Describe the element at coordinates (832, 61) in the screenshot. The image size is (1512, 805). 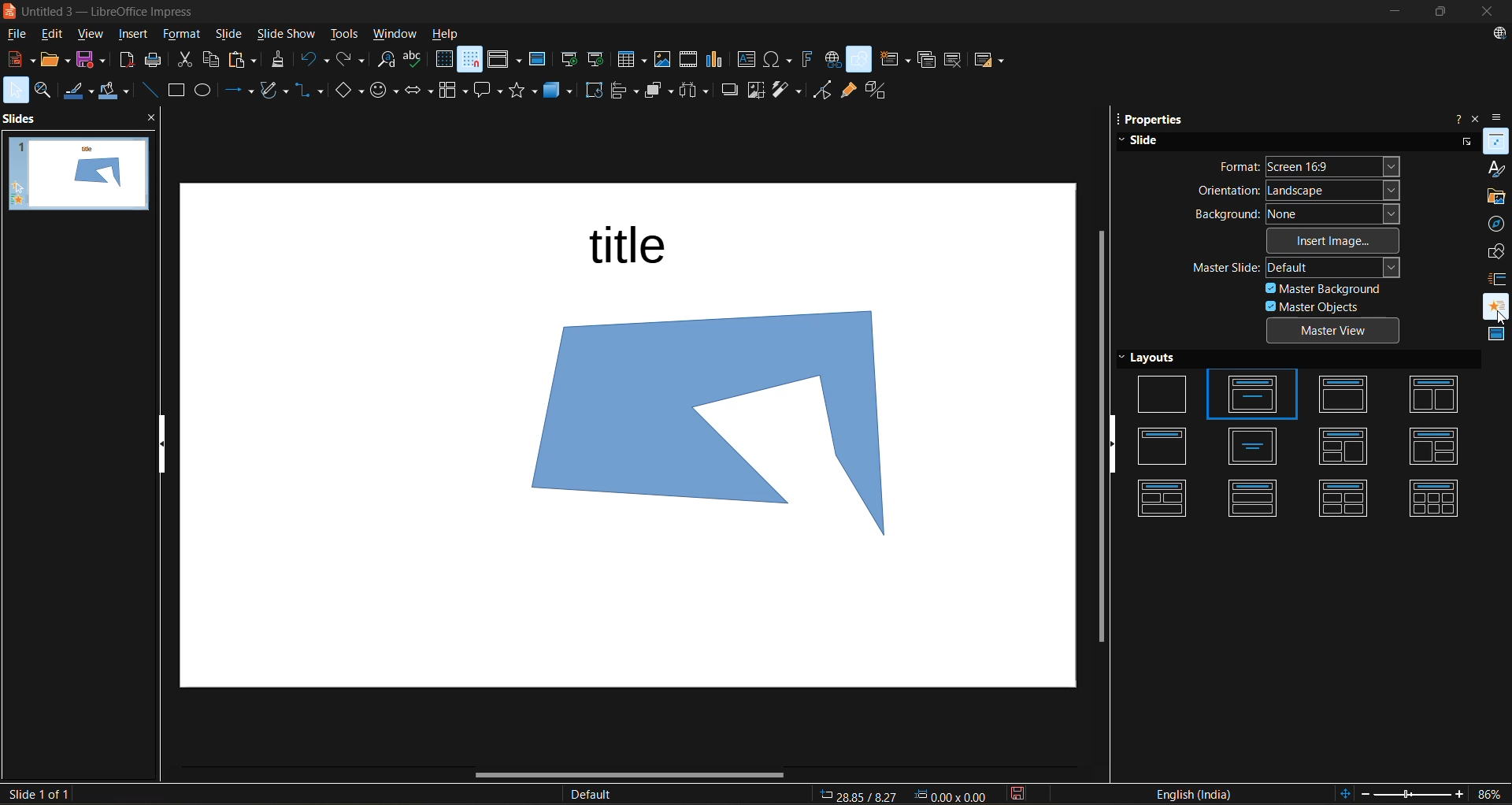
I see `insert hyperlink` at that location.